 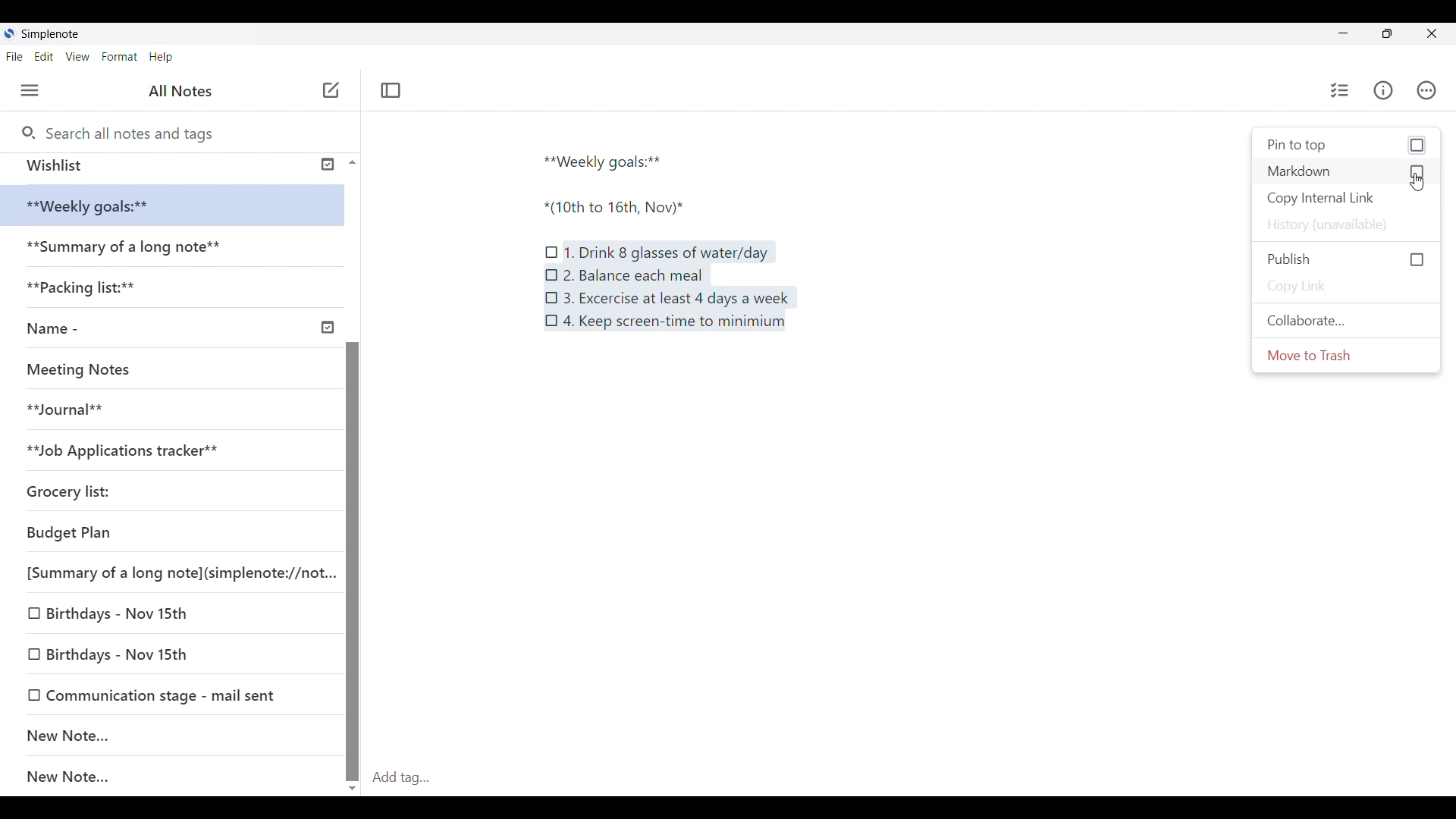 I want to click on Communication stage - mail sent, so click(x=172, y=695).